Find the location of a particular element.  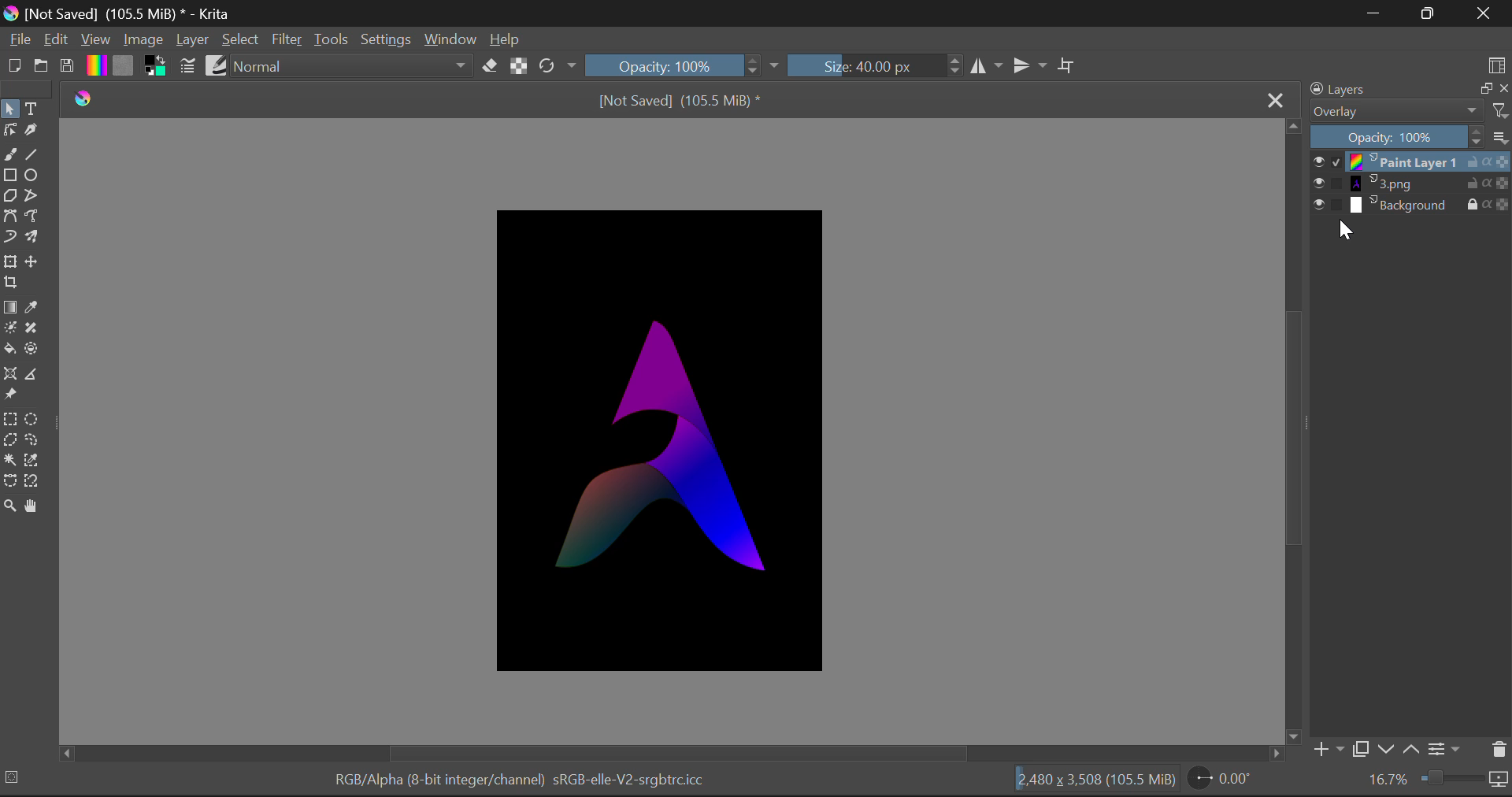

Image is located at coordinates (145, 42).